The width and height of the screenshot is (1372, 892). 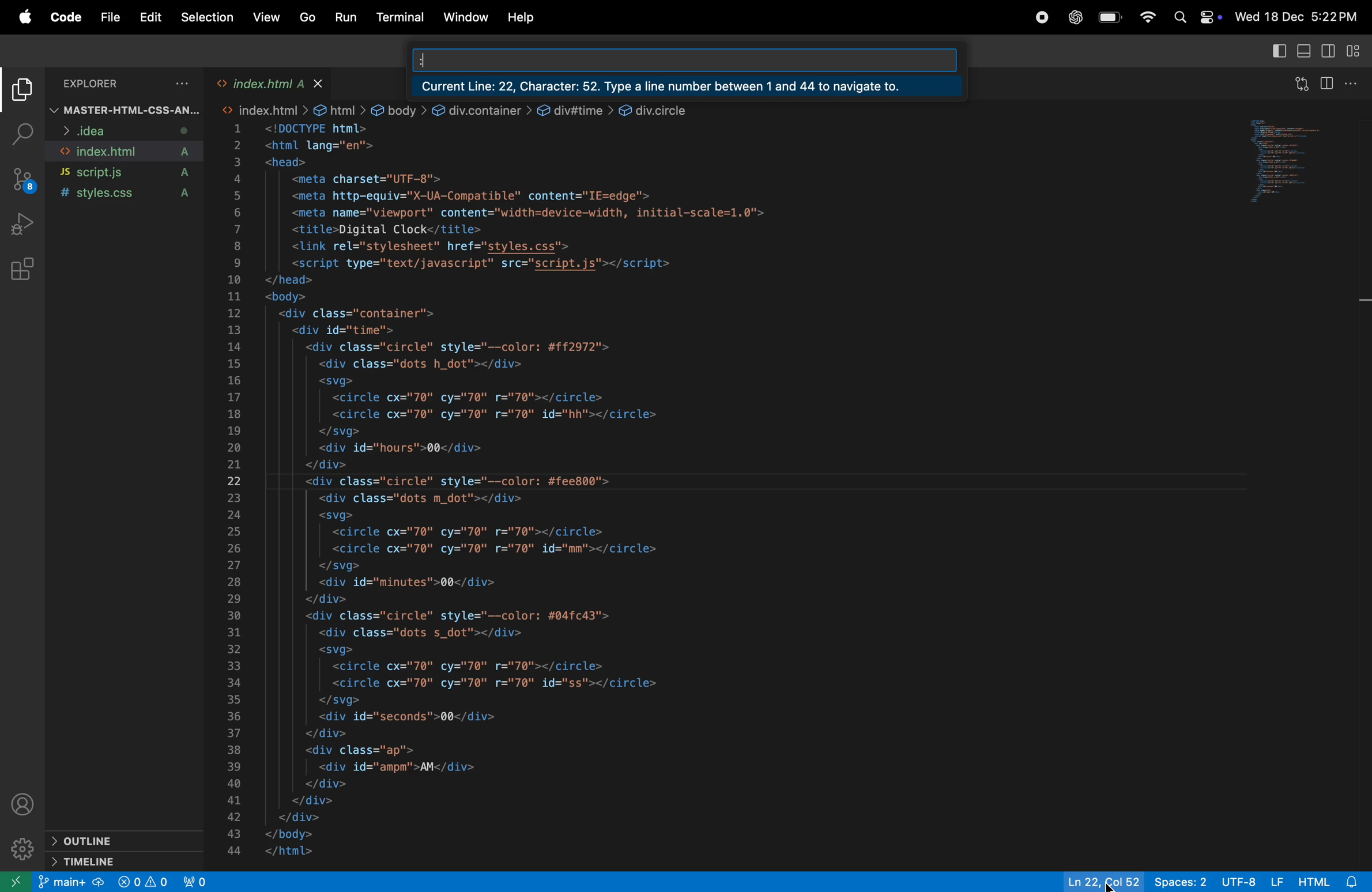 I want to click on split editor, so click(x=1331, y=84).